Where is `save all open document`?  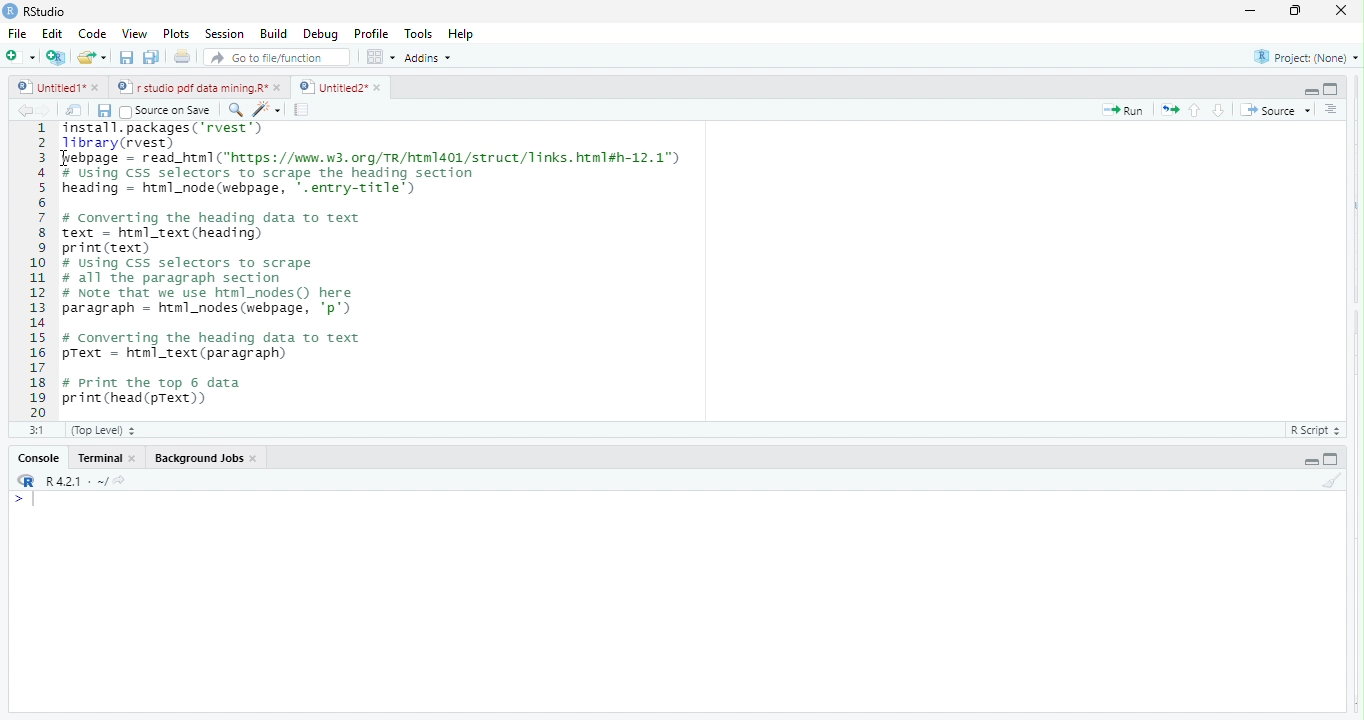
save all open document is located at coordinates (150, 57).